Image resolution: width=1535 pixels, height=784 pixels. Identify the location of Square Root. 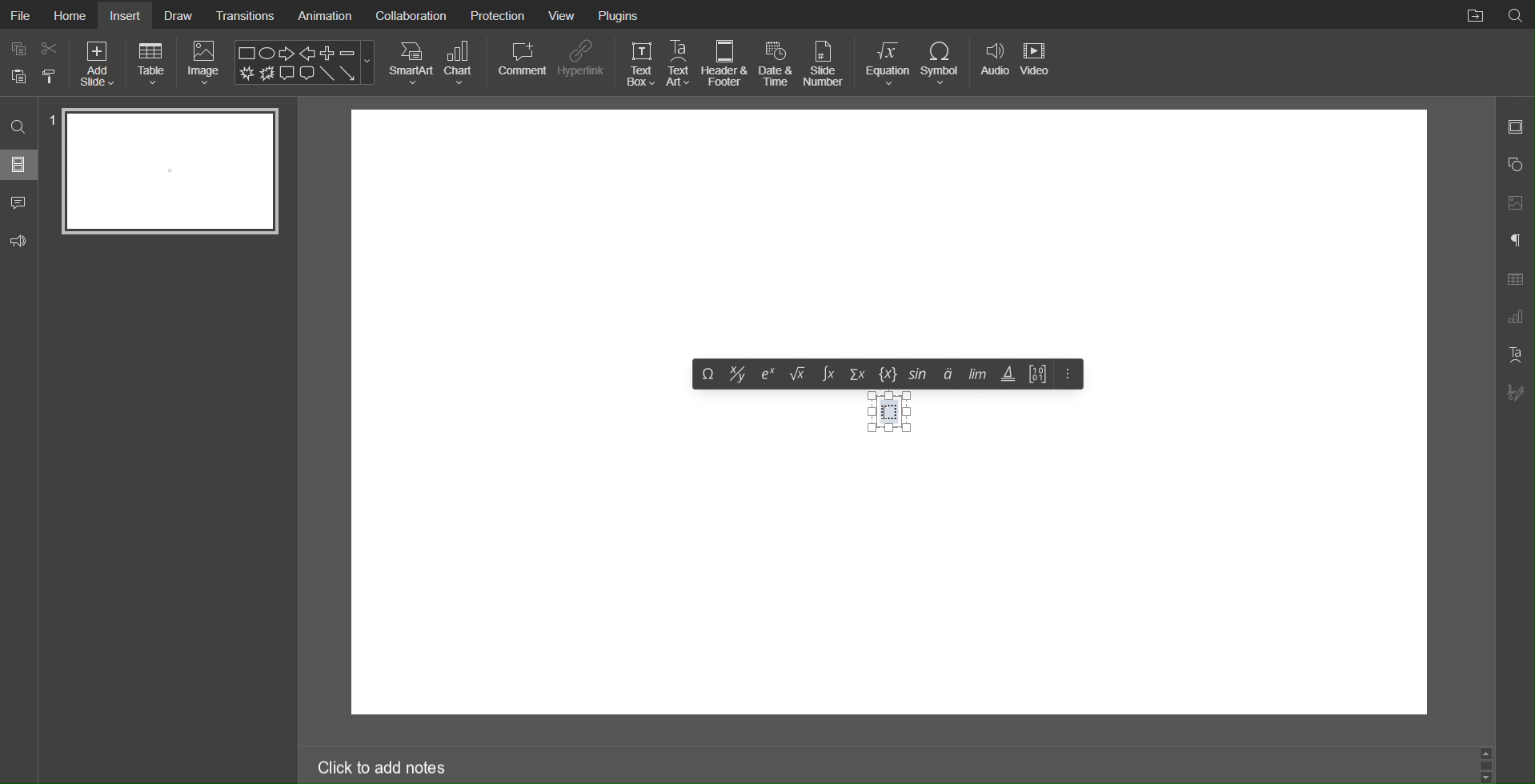
(799, 374).